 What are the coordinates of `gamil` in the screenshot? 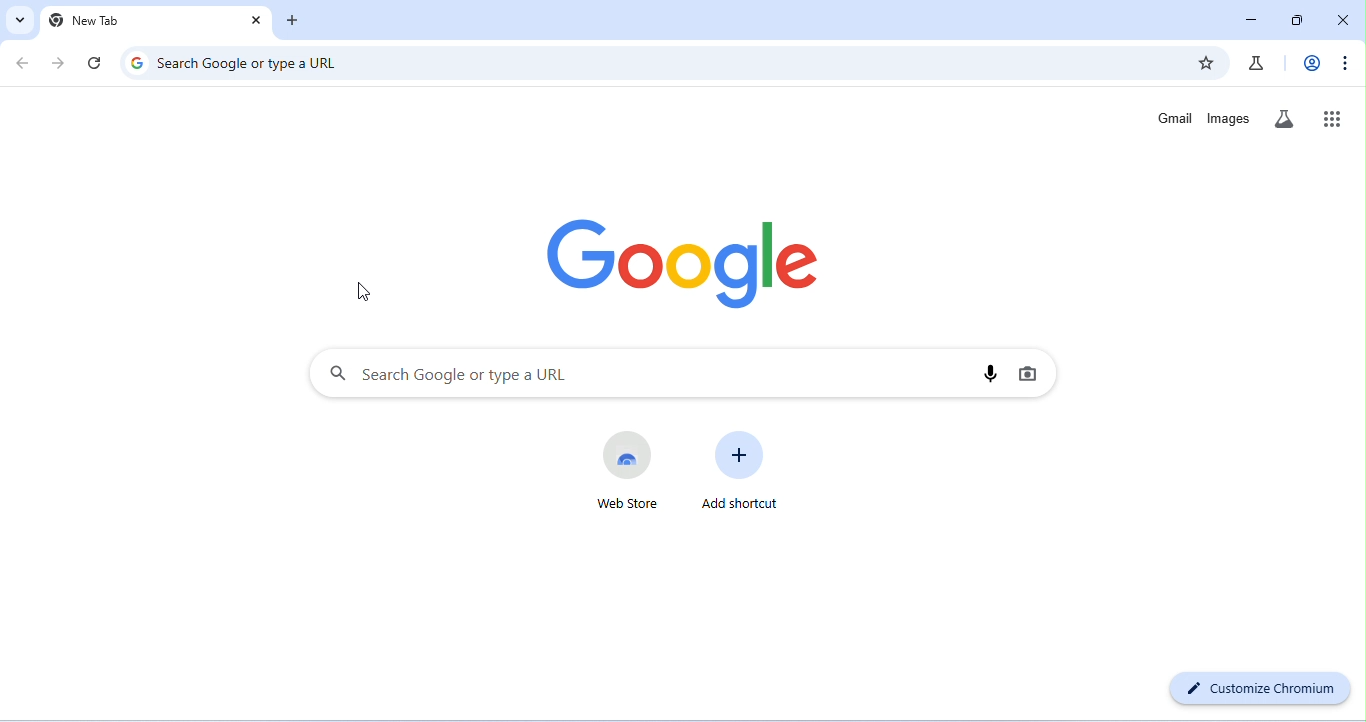 It's located at (1174, 116).